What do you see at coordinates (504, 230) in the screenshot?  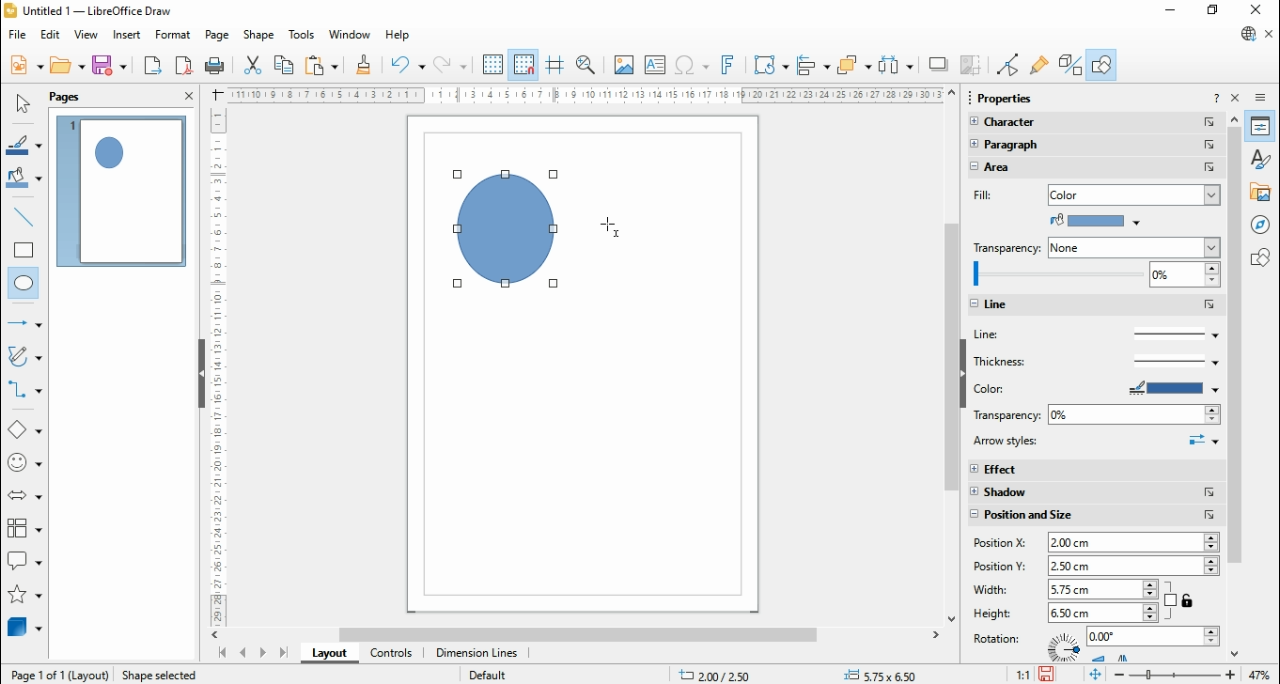 I see `Circle shape` at bounding box center [504, 230].